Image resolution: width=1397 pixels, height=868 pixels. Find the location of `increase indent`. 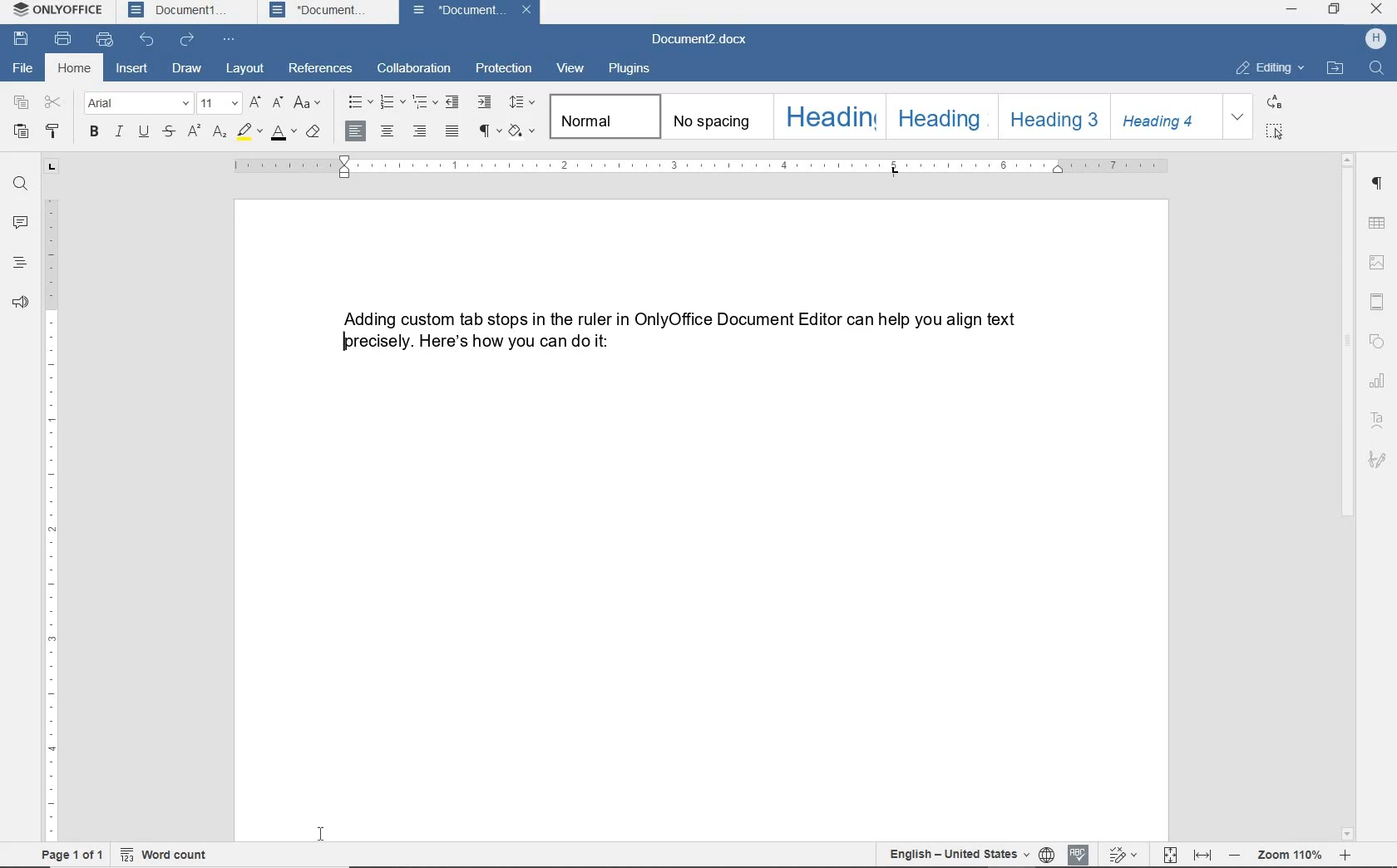

increase indent is located at coordinates (486, 103).